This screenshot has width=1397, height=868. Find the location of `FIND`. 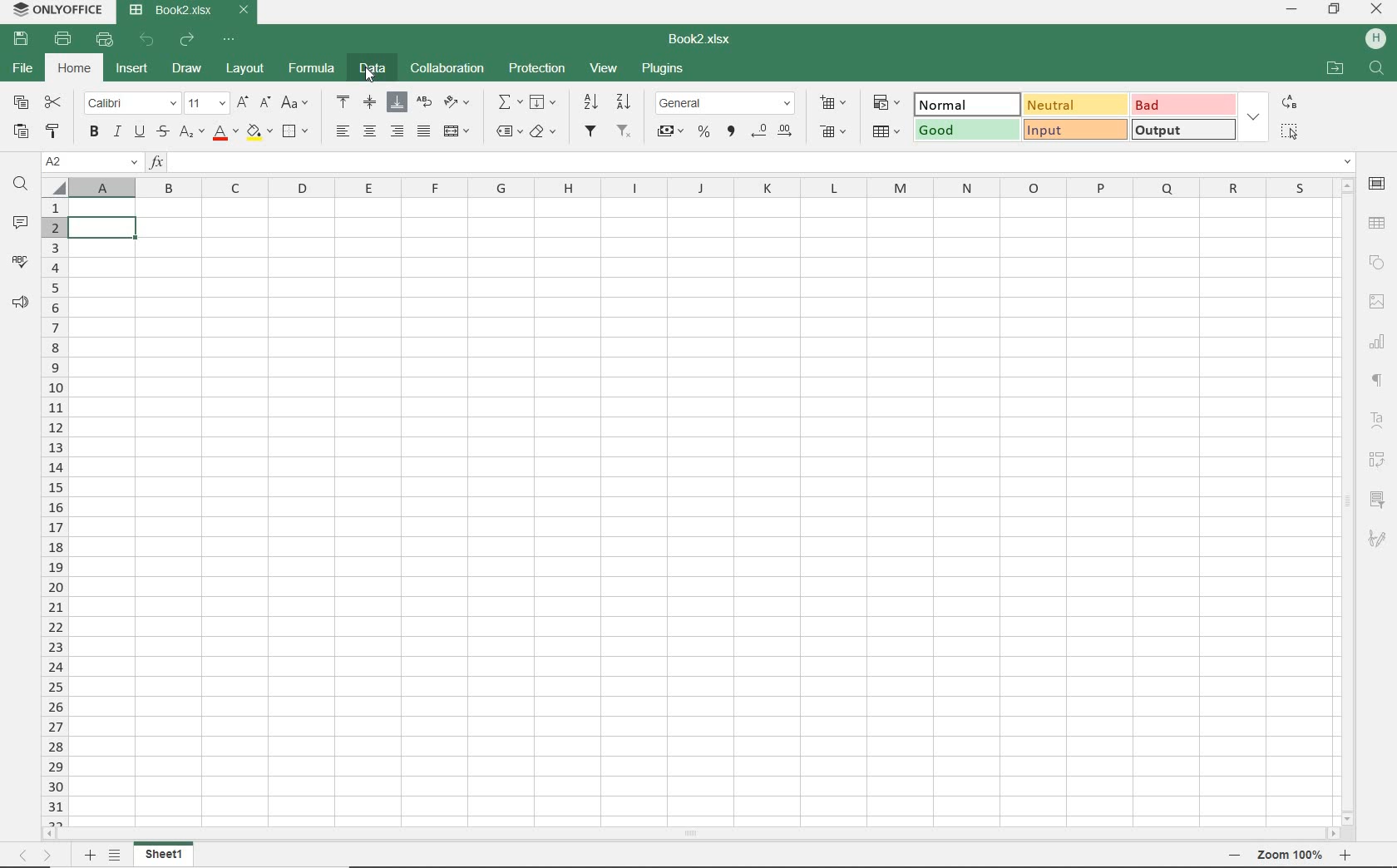

FIND is located at coordinates (1378, 70).